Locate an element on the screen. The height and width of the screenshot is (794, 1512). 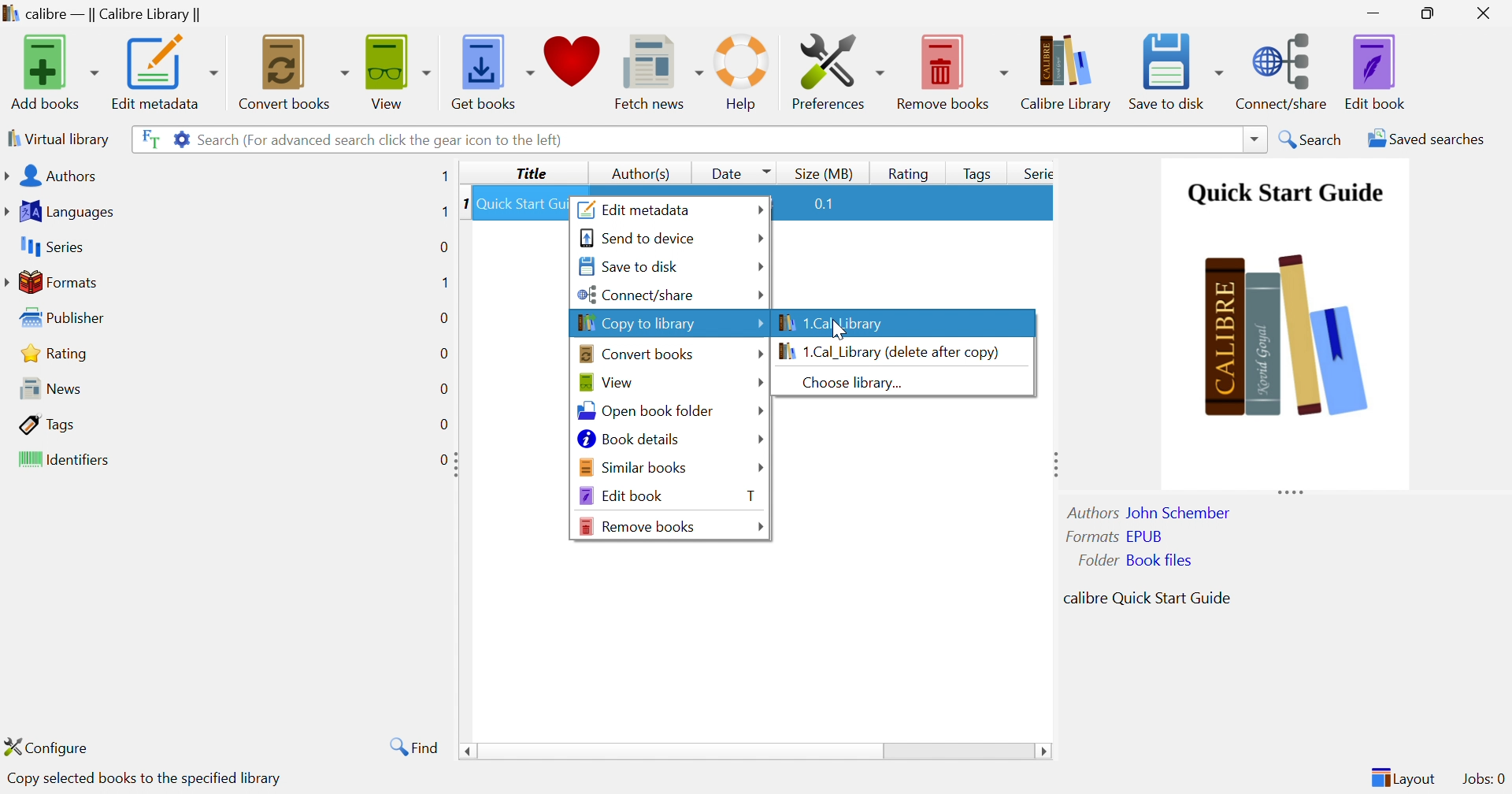
Search is located at coordinates (1312, 138).